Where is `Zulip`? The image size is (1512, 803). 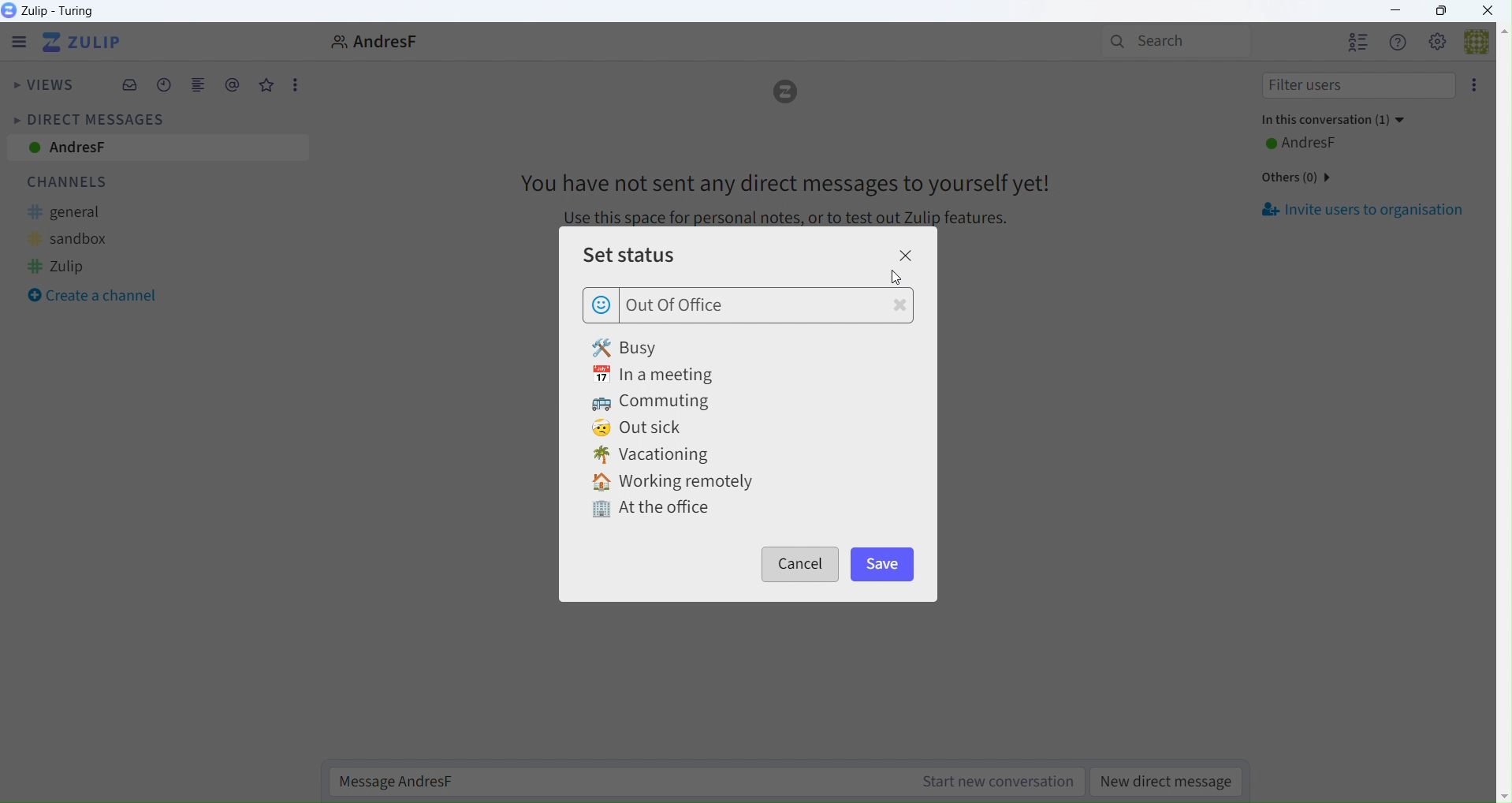
Zulip is located at coordinates (55, 11).